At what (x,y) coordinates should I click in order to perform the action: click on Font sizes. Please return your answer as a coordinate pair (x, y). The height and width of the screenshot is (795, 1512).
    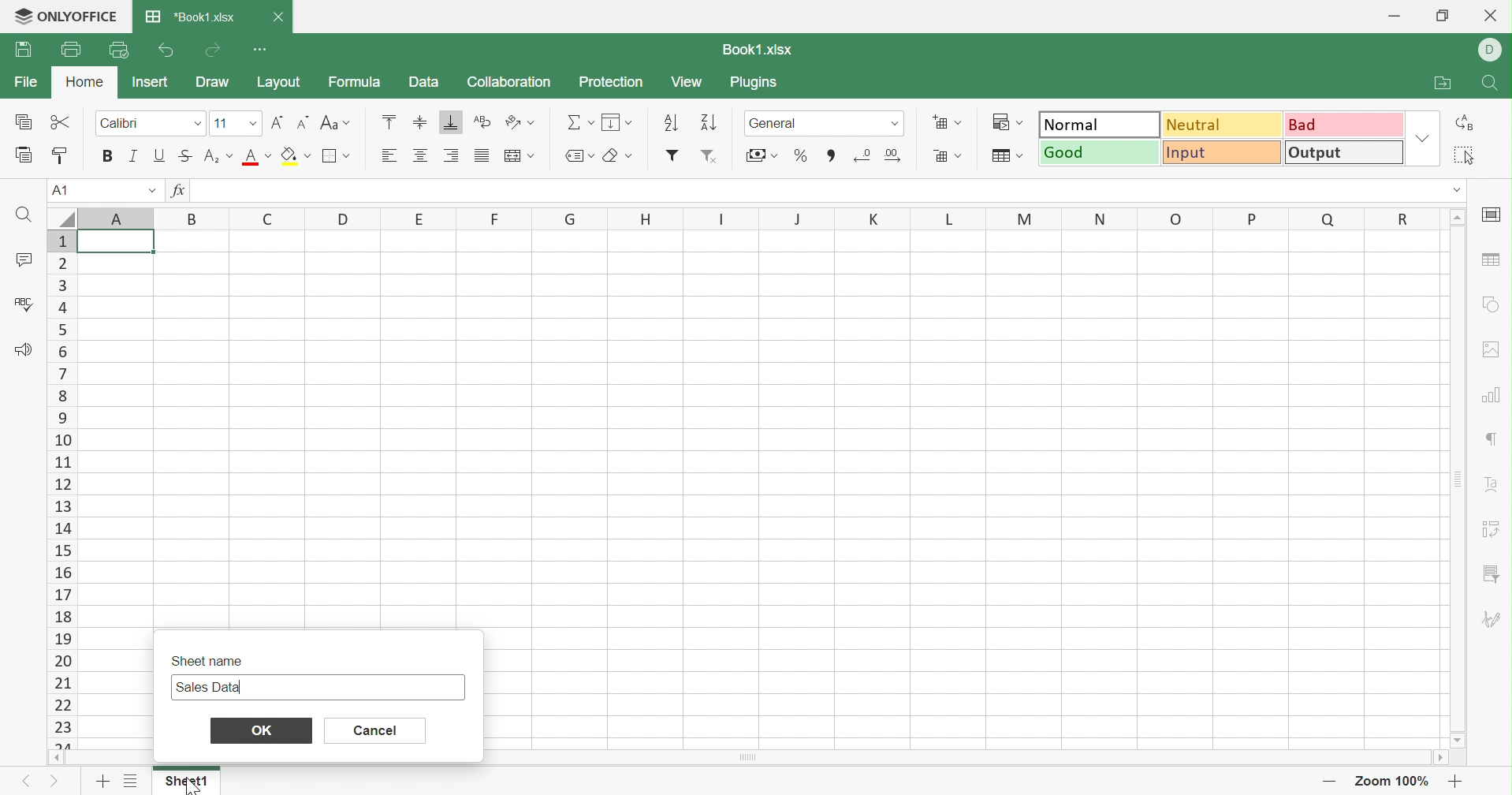
    Looking at the image, I should click on (251, 125).